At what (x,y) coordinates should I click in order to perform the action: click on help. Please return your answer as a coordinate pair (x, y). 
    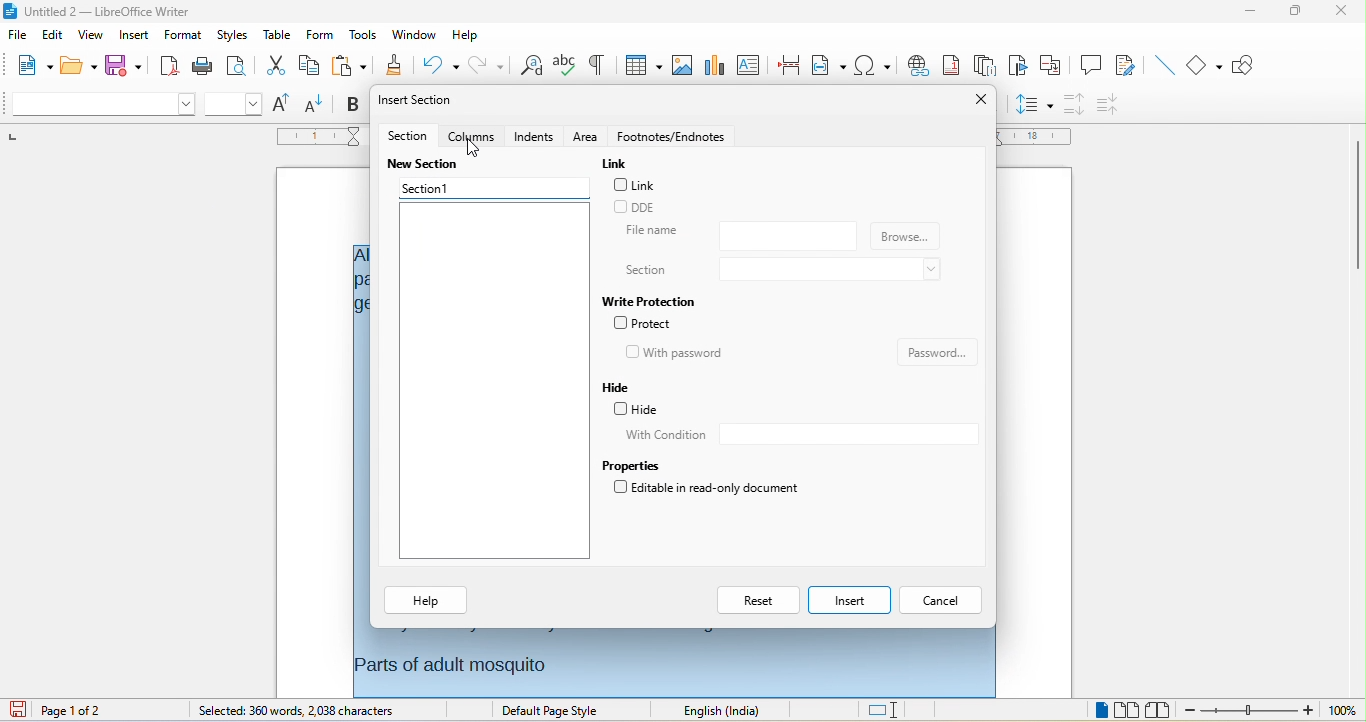
    Looking at the image, I should click on (463, 31).